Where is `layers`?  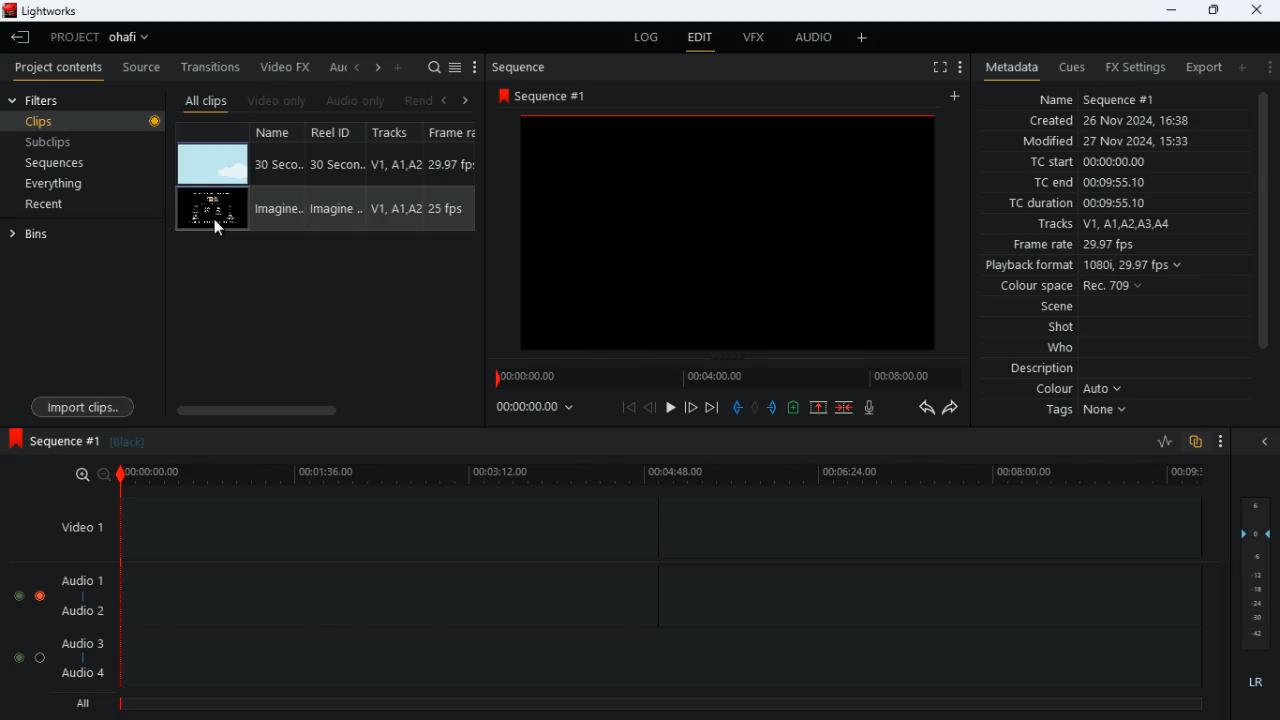
layers is located at coordinates (1260, 575).